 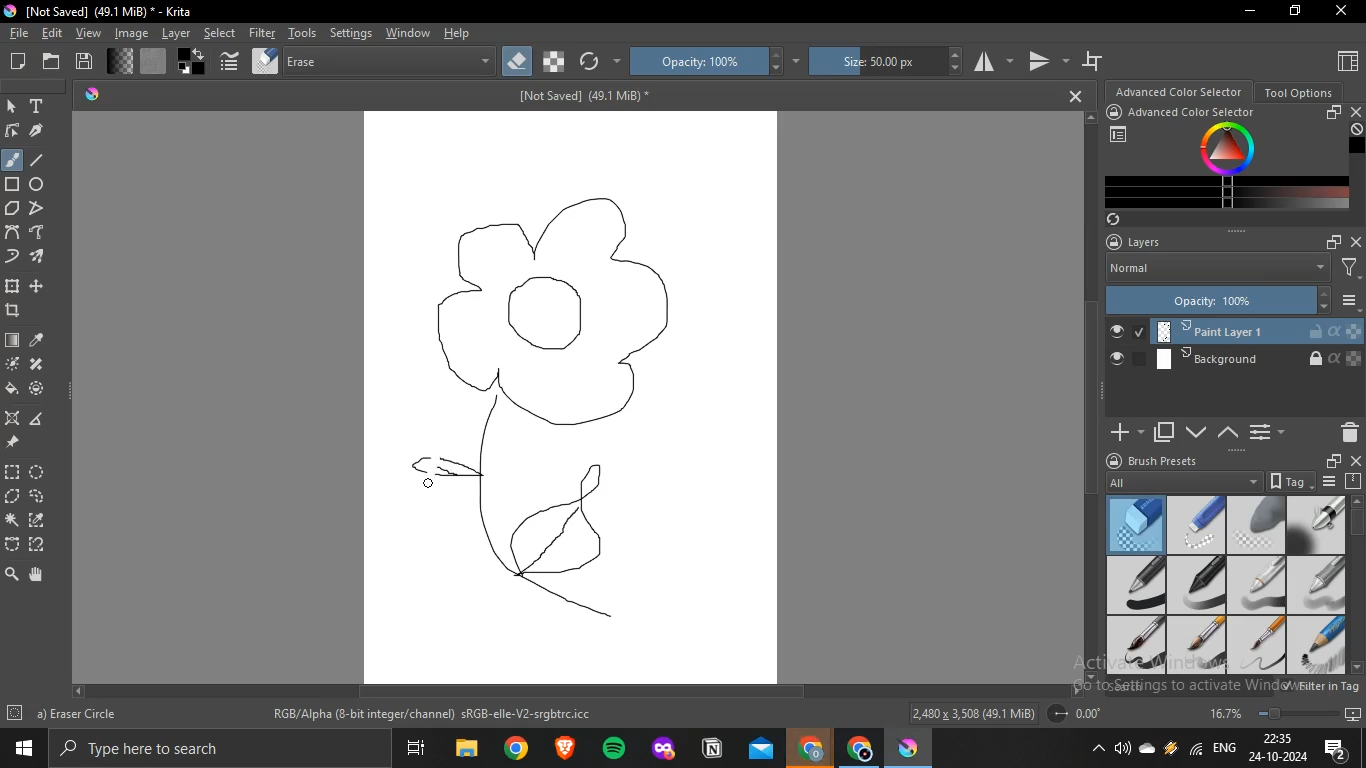 What do you see at coordinates (582, 97) in the screenshot?
I see `[Not Saved] (49.1 MB)*` at bounding box center [582, 97].